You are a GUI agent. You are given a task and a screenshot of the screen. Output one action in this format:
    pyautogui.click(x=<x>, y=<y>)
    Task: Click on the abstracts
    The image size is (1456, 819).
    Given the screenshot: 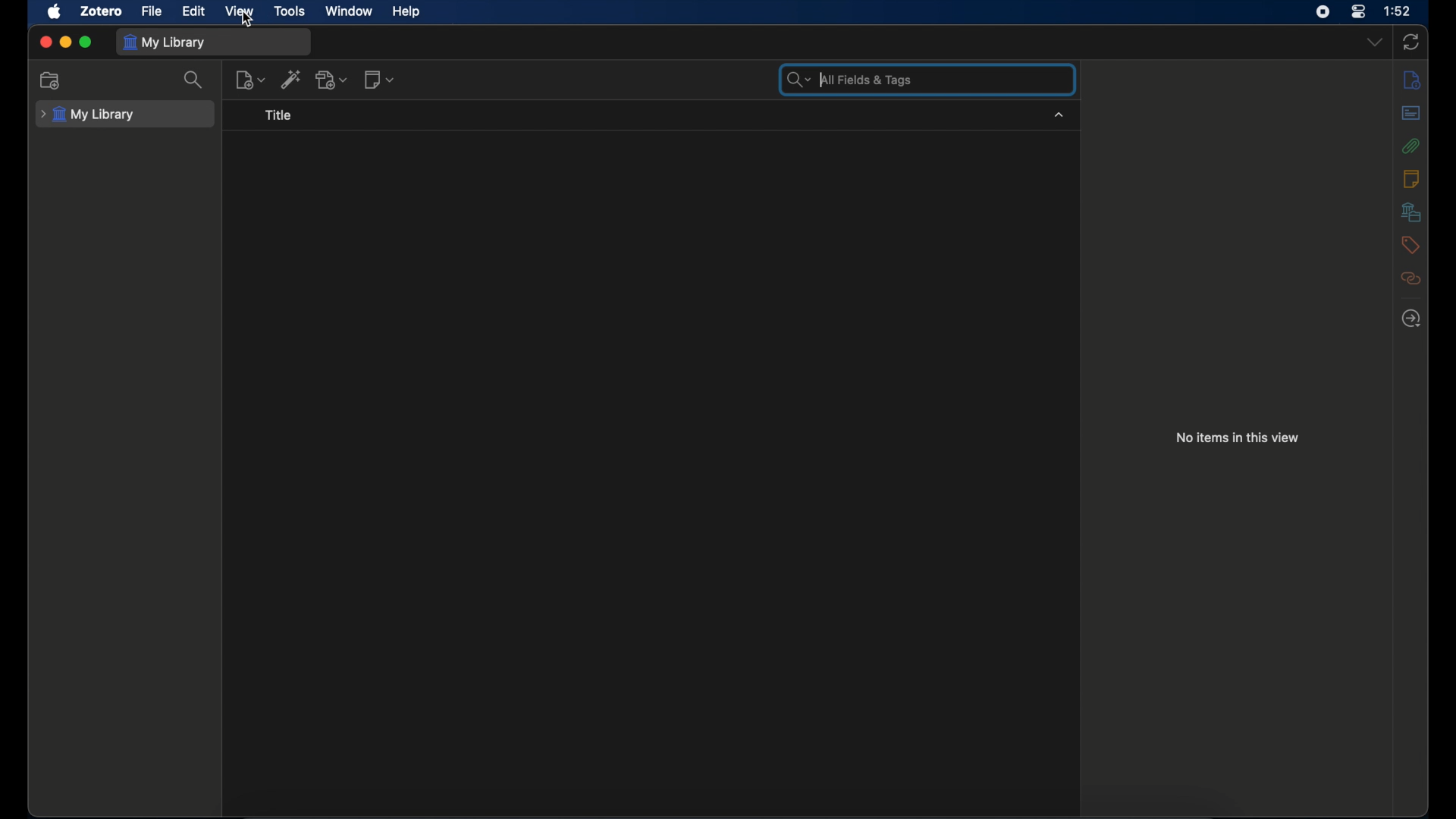 What is the action you would take?
    pyautogui.click(x=1411, y=112)
    